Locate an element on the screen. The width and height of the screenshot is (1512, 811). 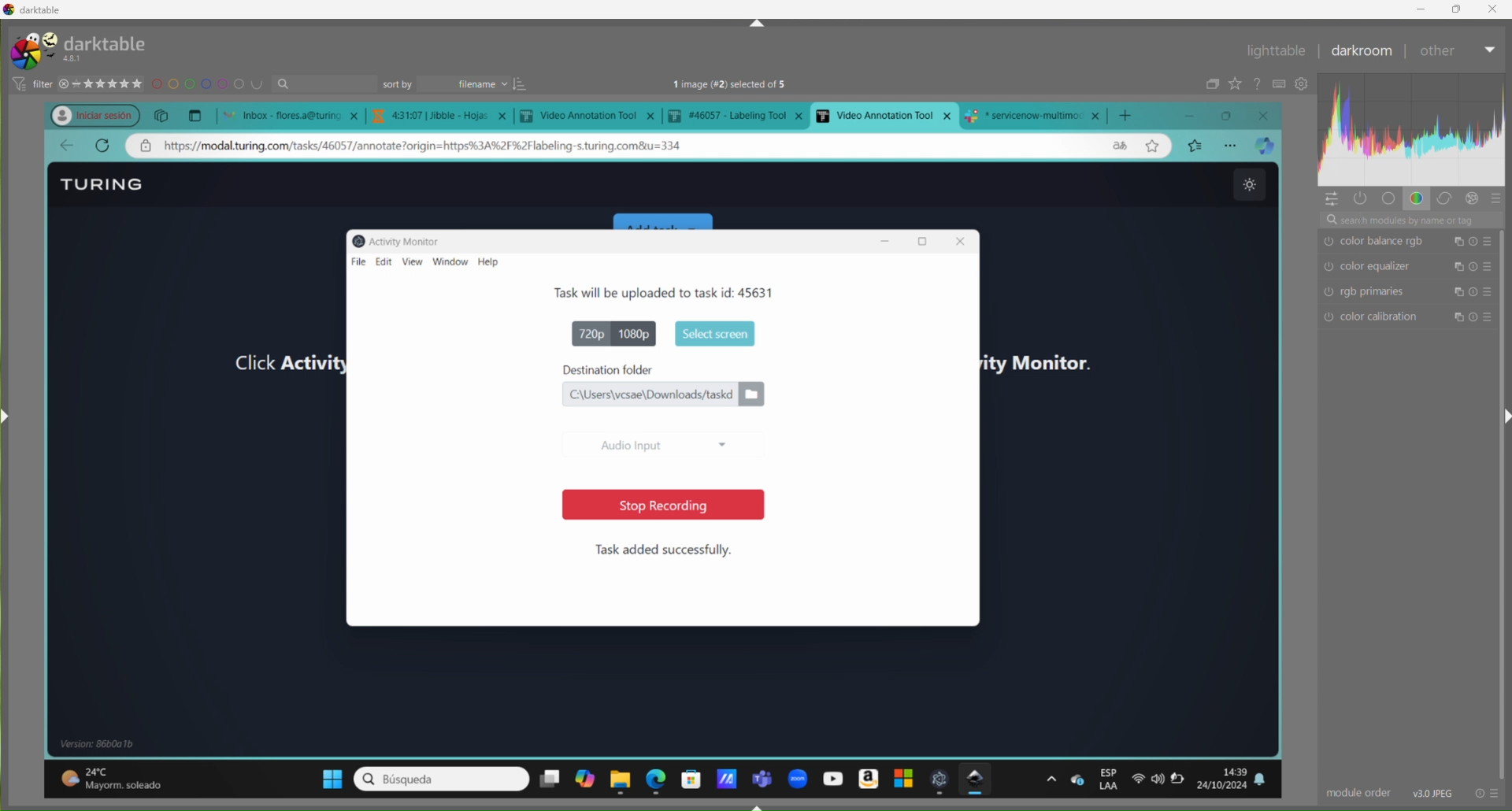
file location is located at coordinates (662, 394).